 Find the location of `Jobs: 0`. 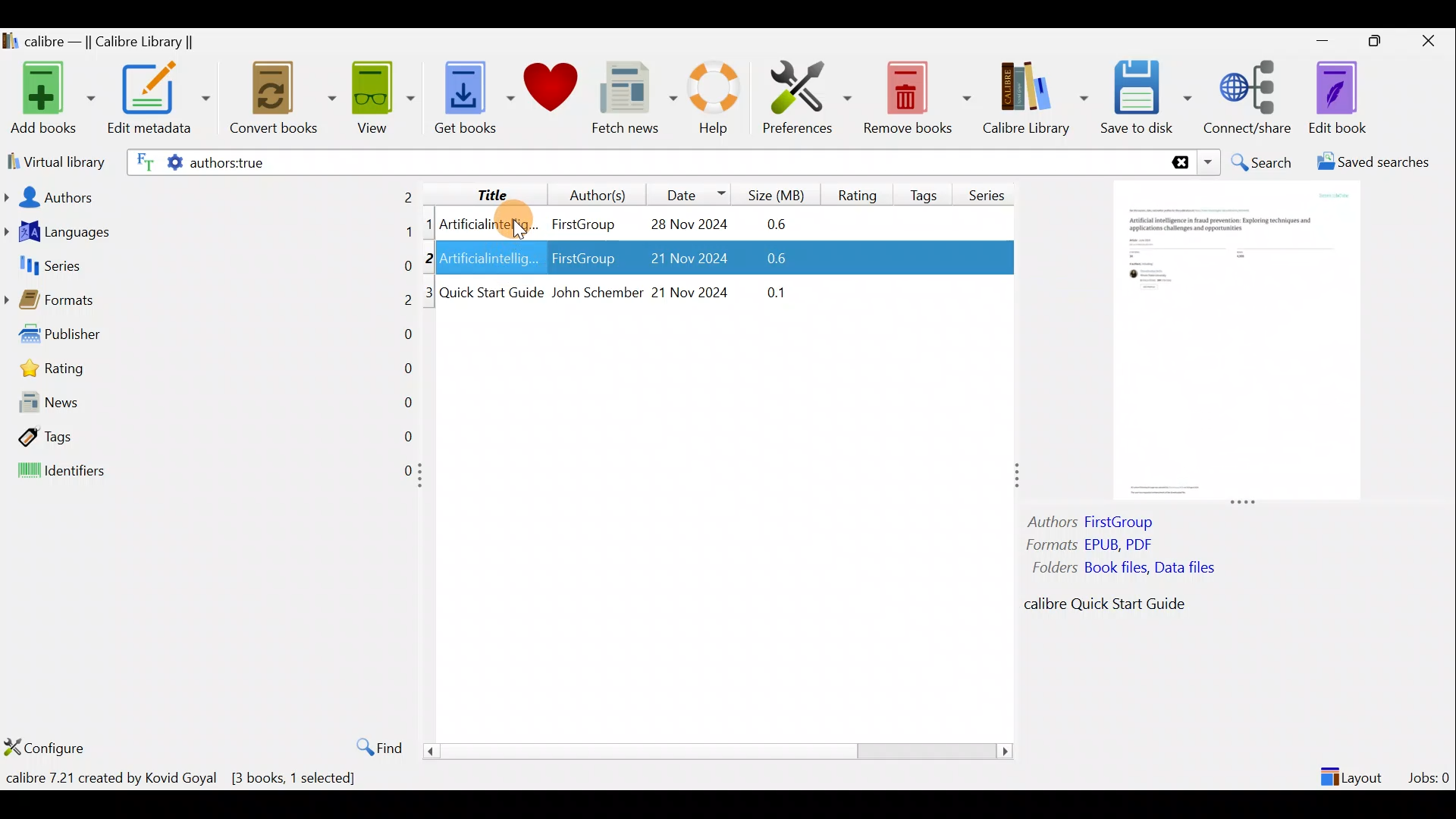

Jobs: 0 is located at coordinates (1430, 773).